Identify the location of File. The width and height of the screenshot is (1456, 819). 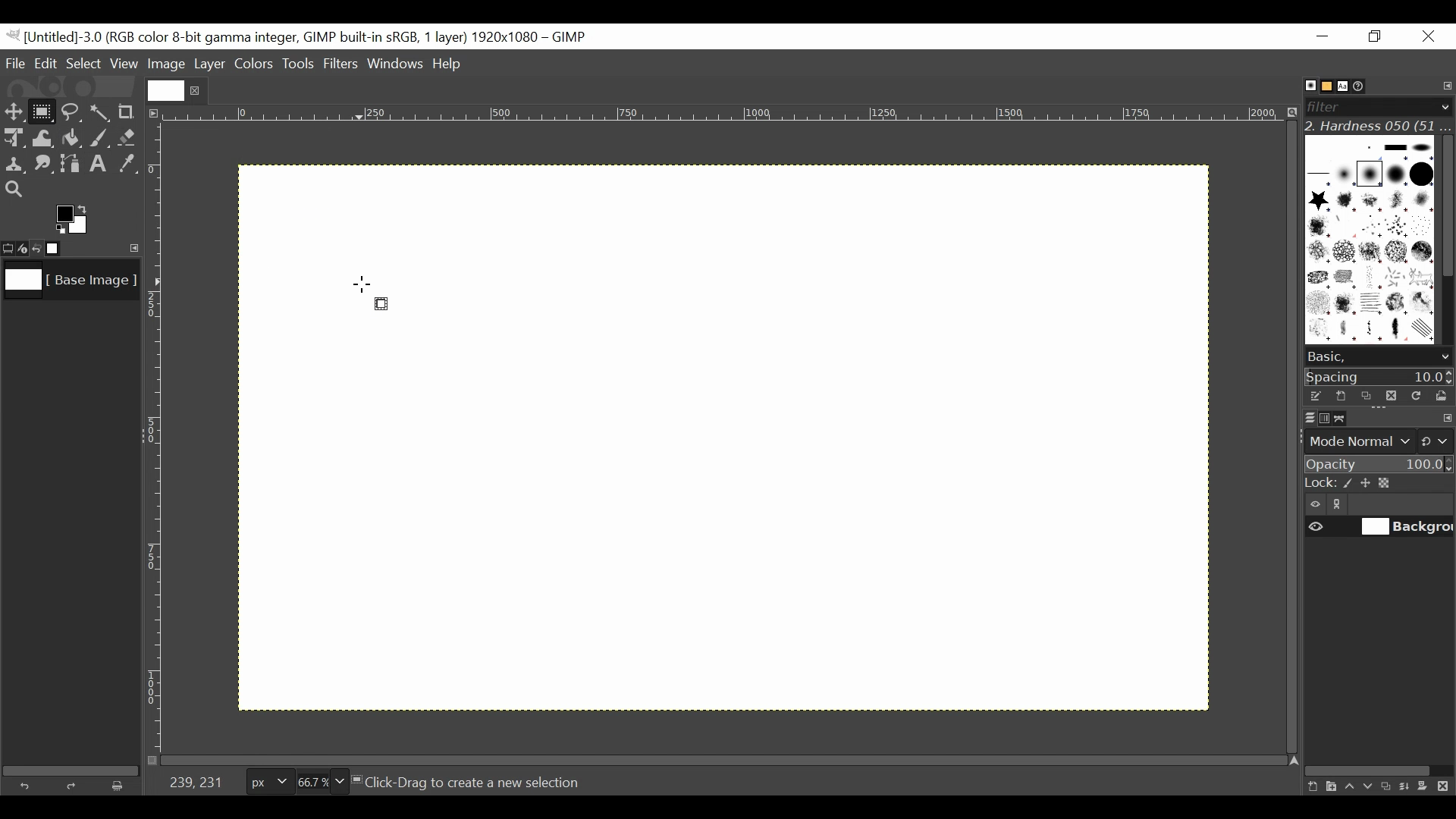
(17, 63).